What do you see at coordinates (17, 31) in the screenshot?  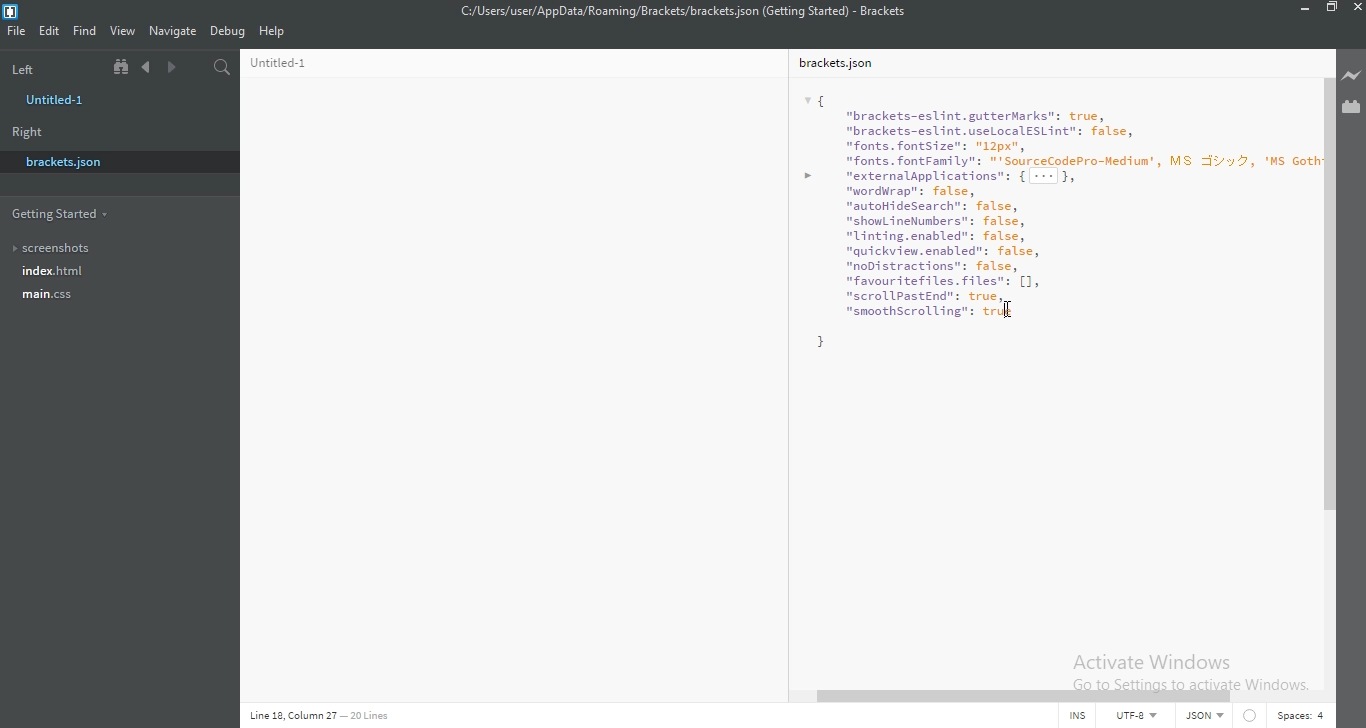 I see `File` at bounding box center [17, 31].